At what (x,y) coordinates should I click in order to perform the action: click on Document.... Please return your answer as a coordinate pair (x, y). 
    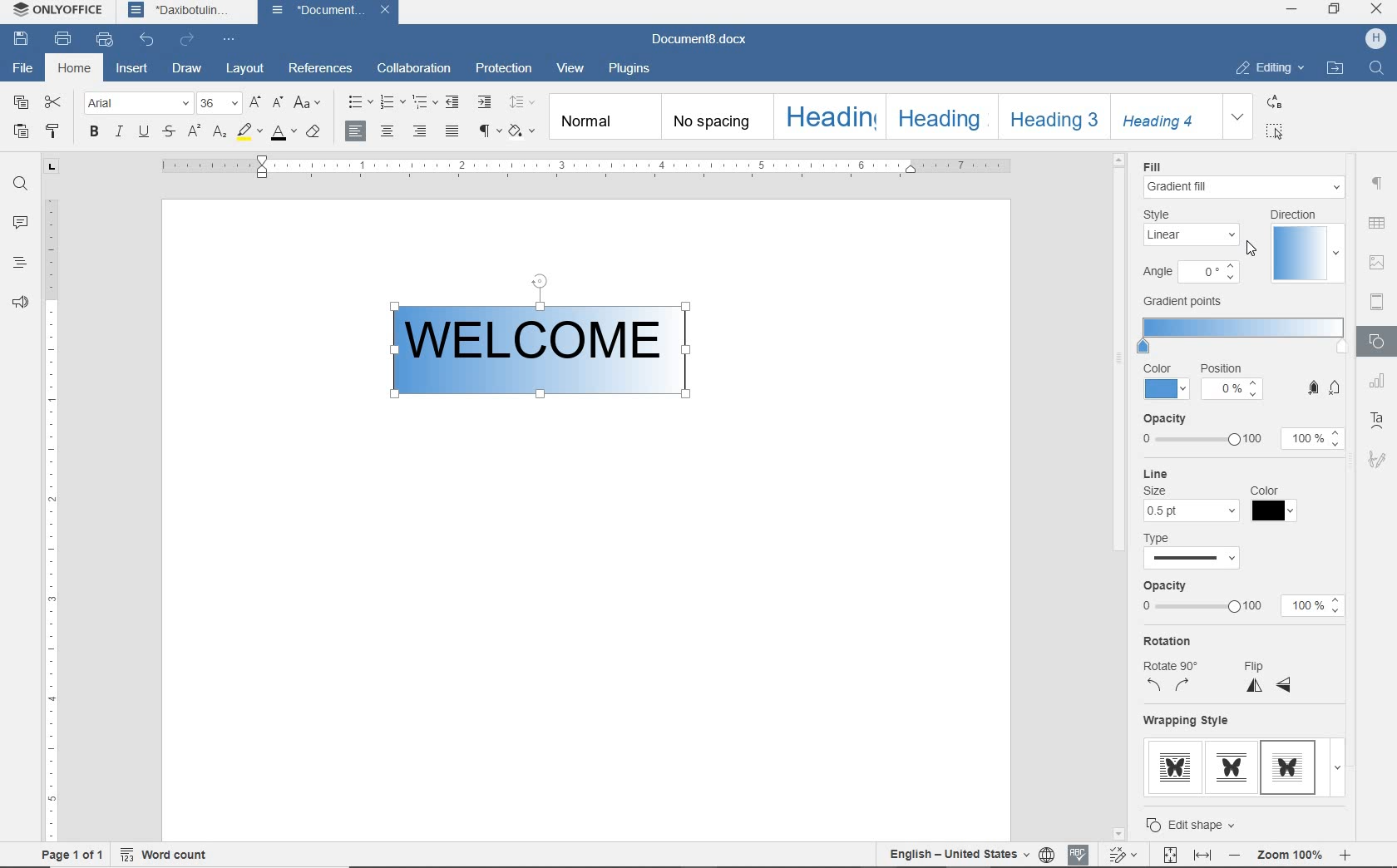
    Looking at the image, I should click on (318, 11).